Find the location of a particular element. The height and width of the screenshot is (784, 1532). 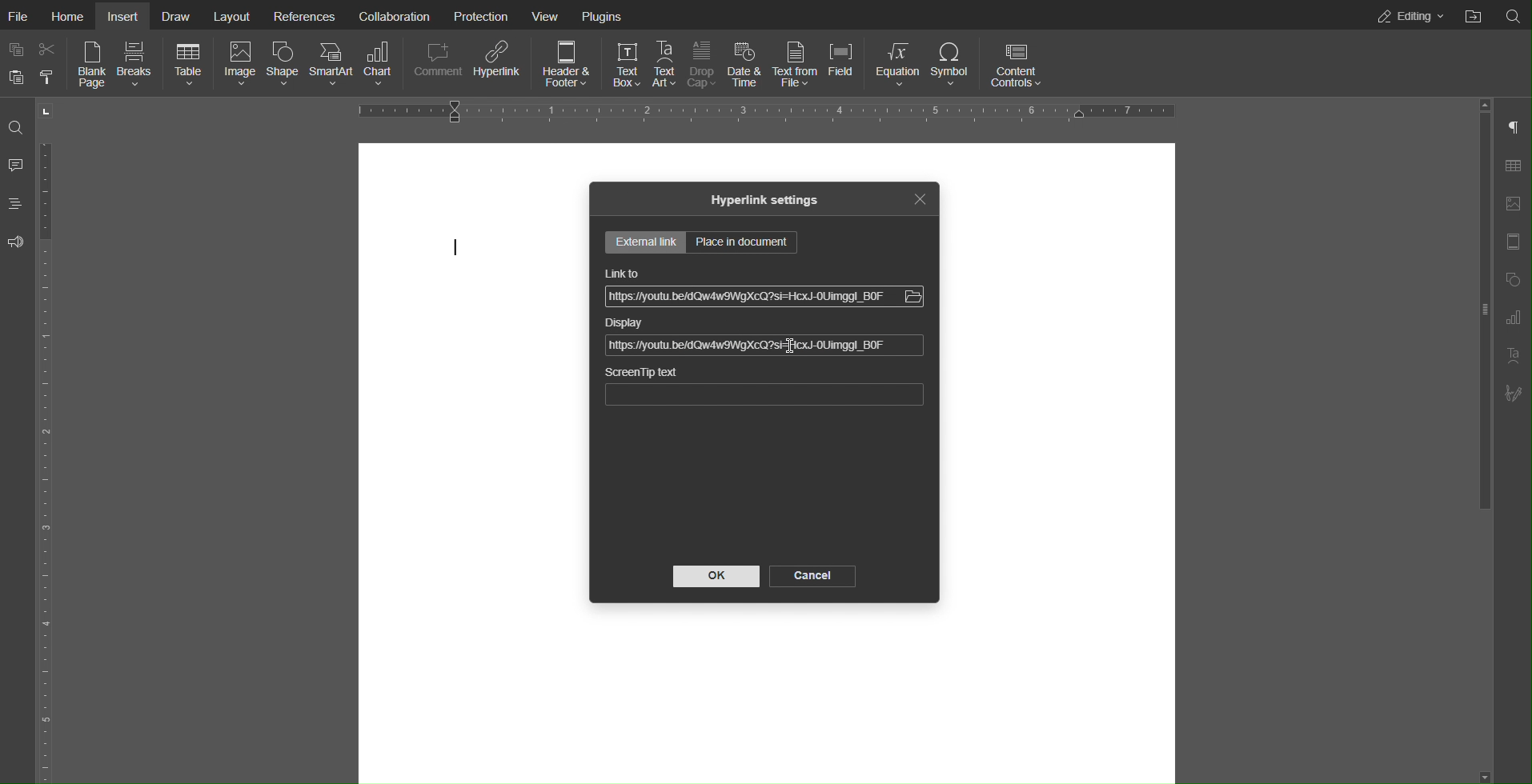

Paragraph Settings is located at coordinates (1513, 124).